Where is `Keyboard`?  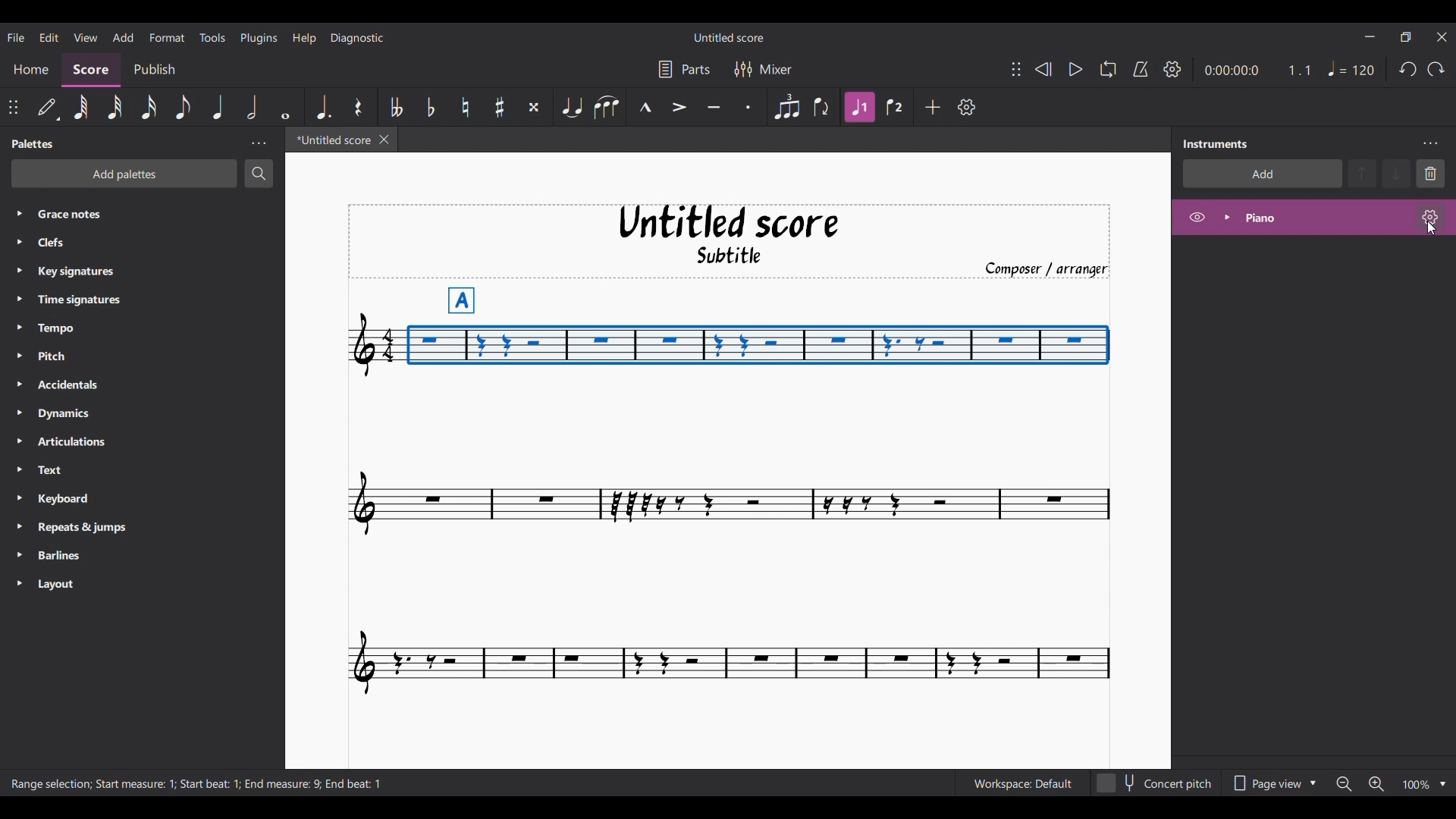
Keyboard is located at coordinates (82, 500).